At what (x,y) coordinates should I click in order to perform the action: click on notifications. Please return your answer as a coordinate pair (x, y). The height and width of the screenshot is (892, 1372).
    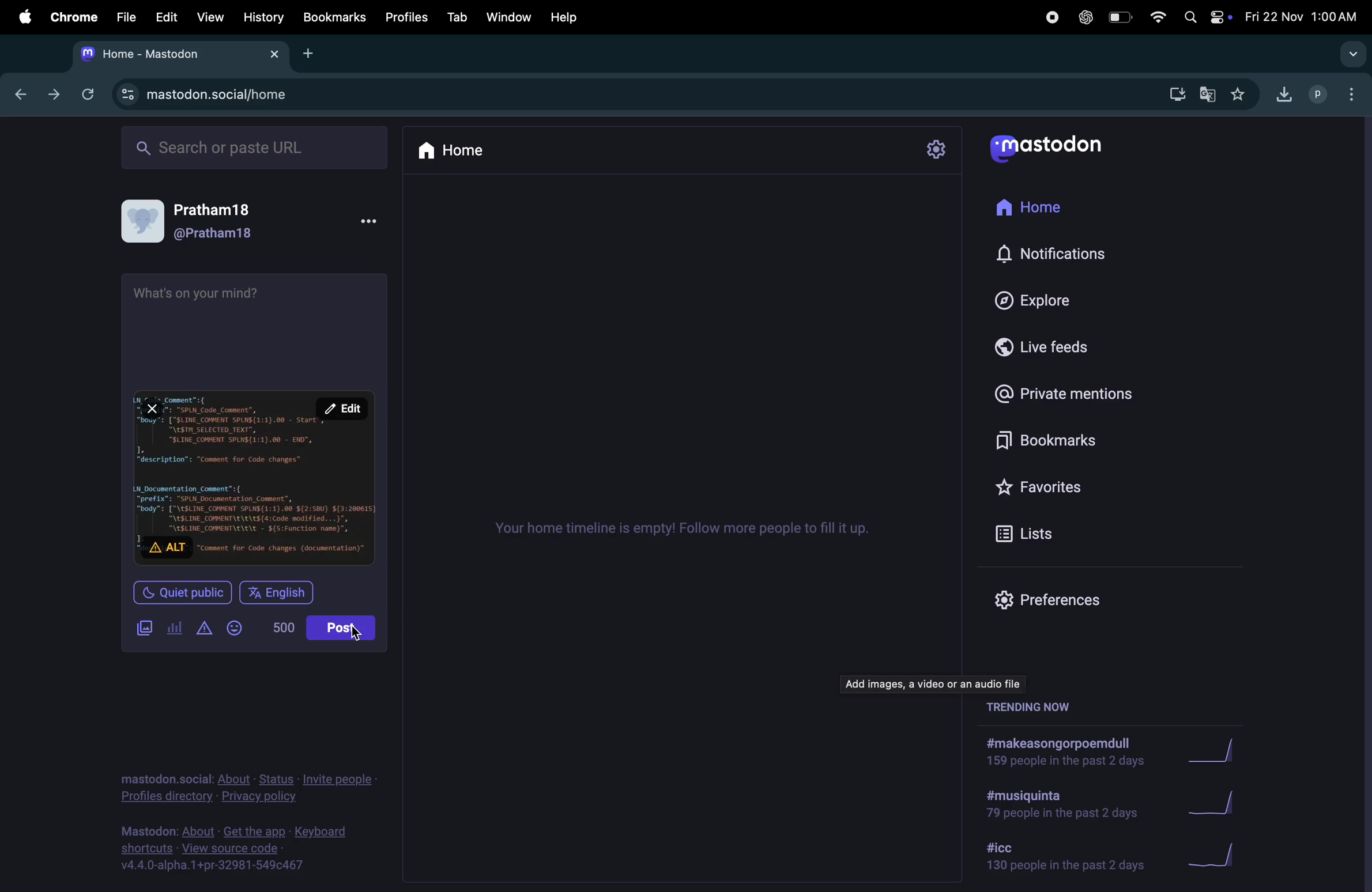
    Looking at the image, I should click on (1063, 252).